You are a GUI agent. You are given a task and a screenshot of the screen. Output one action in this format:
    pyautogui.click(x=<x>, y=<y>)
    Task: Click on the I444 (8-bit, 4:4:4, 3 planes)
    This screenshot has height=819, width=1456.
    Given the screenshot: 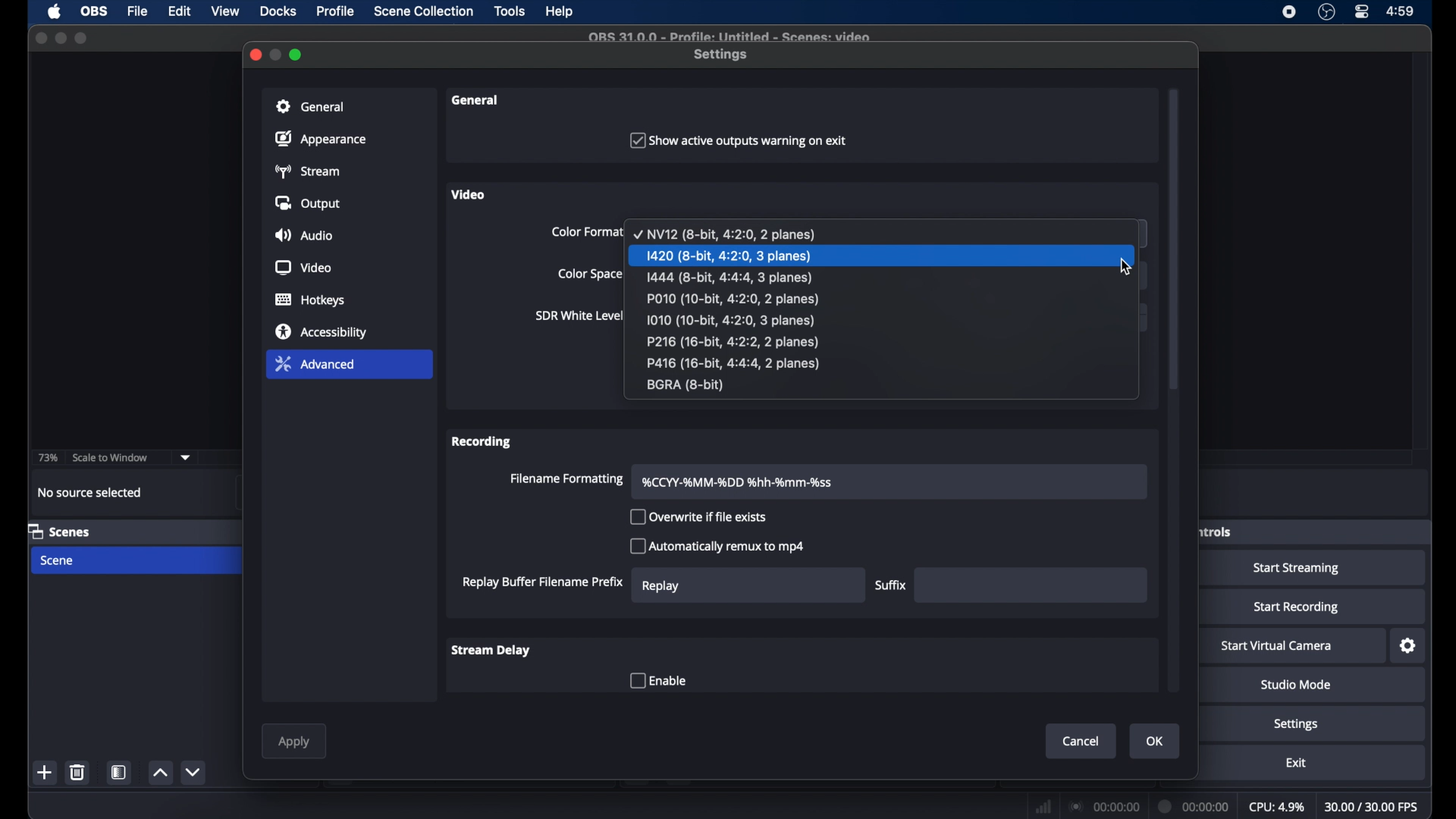 What is the action you would take?
    pyautogui.click(x=732, y=276)
    